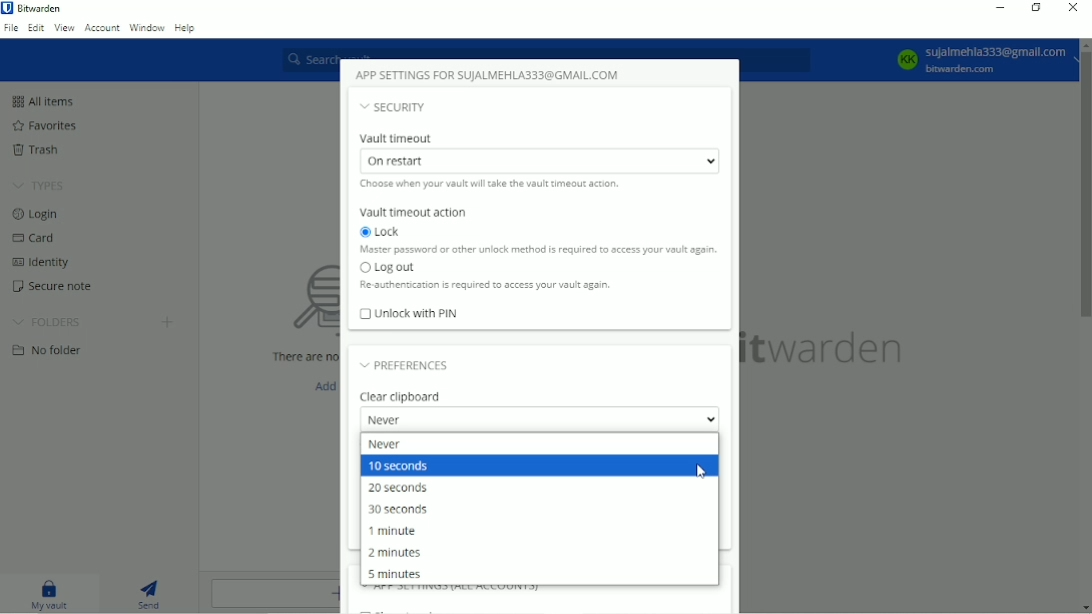 The height and width of the screenshot is (614, 1092). Describe the element at coordinates (394, 553) in the screenshot. I see `2 minutes` at that location.